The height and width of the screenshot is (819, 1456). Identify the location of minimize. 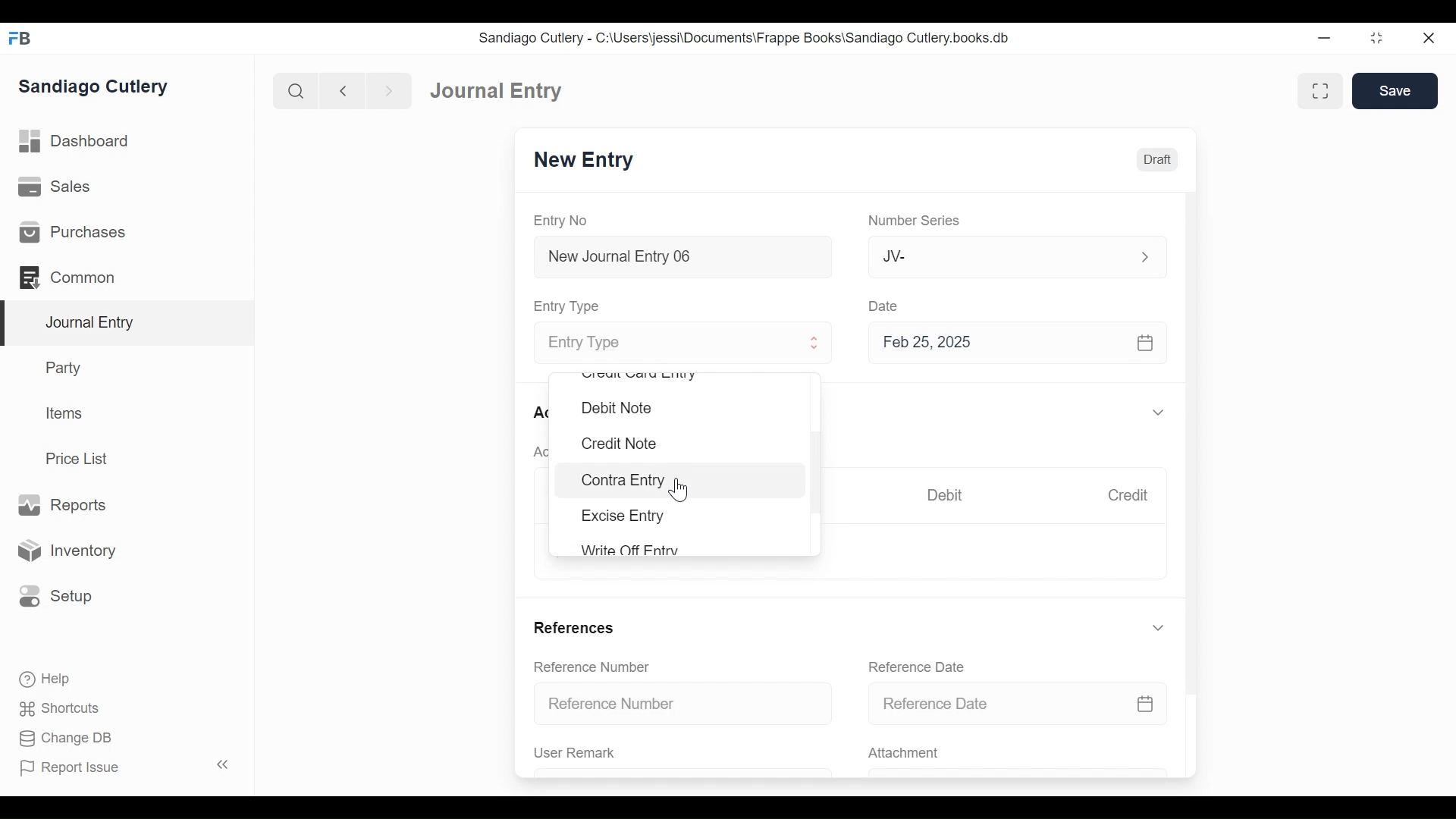
(1325, 37).